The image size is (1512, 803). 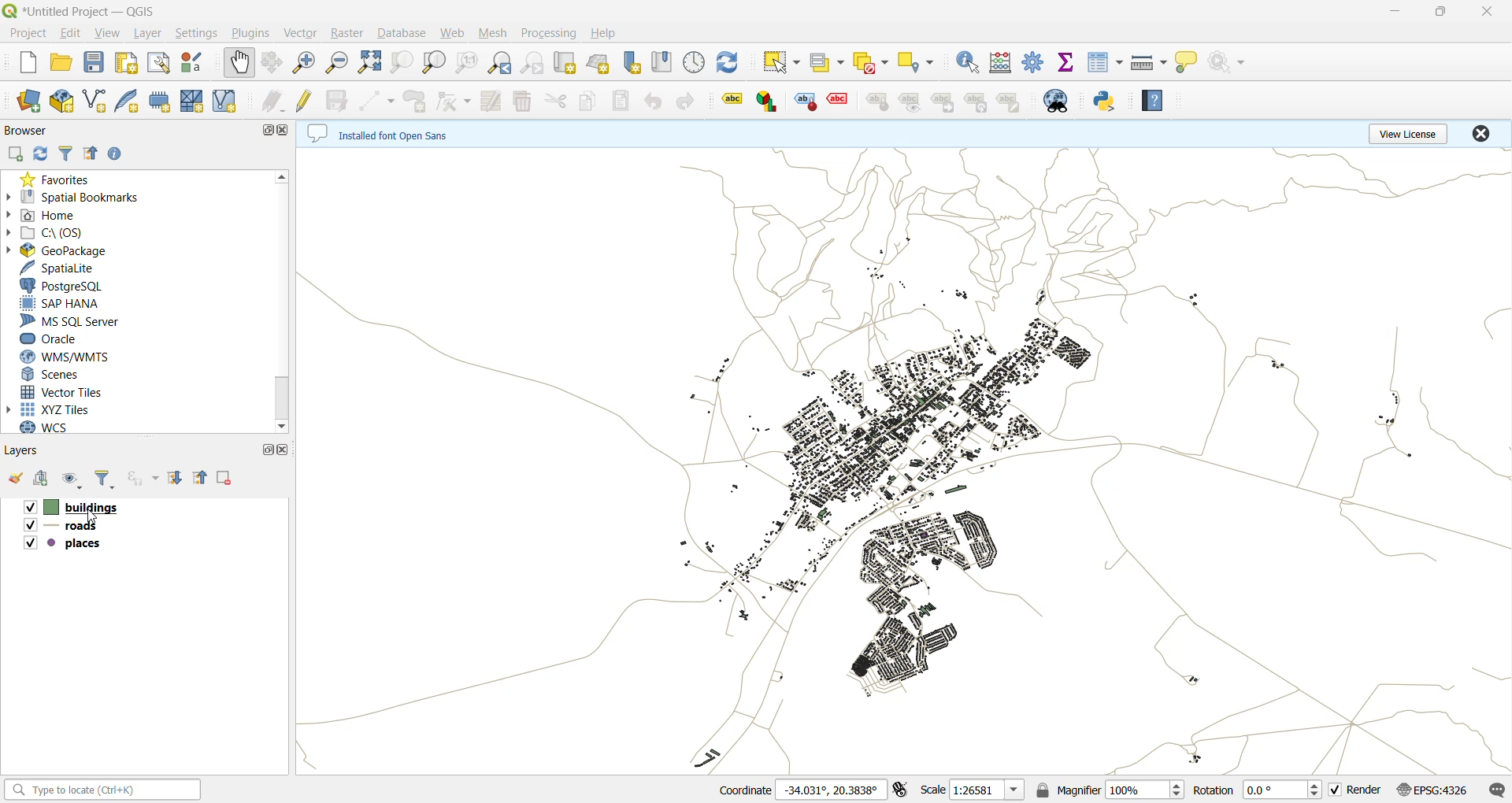 I want to click on new 3d map, so click(x=601, y=63).